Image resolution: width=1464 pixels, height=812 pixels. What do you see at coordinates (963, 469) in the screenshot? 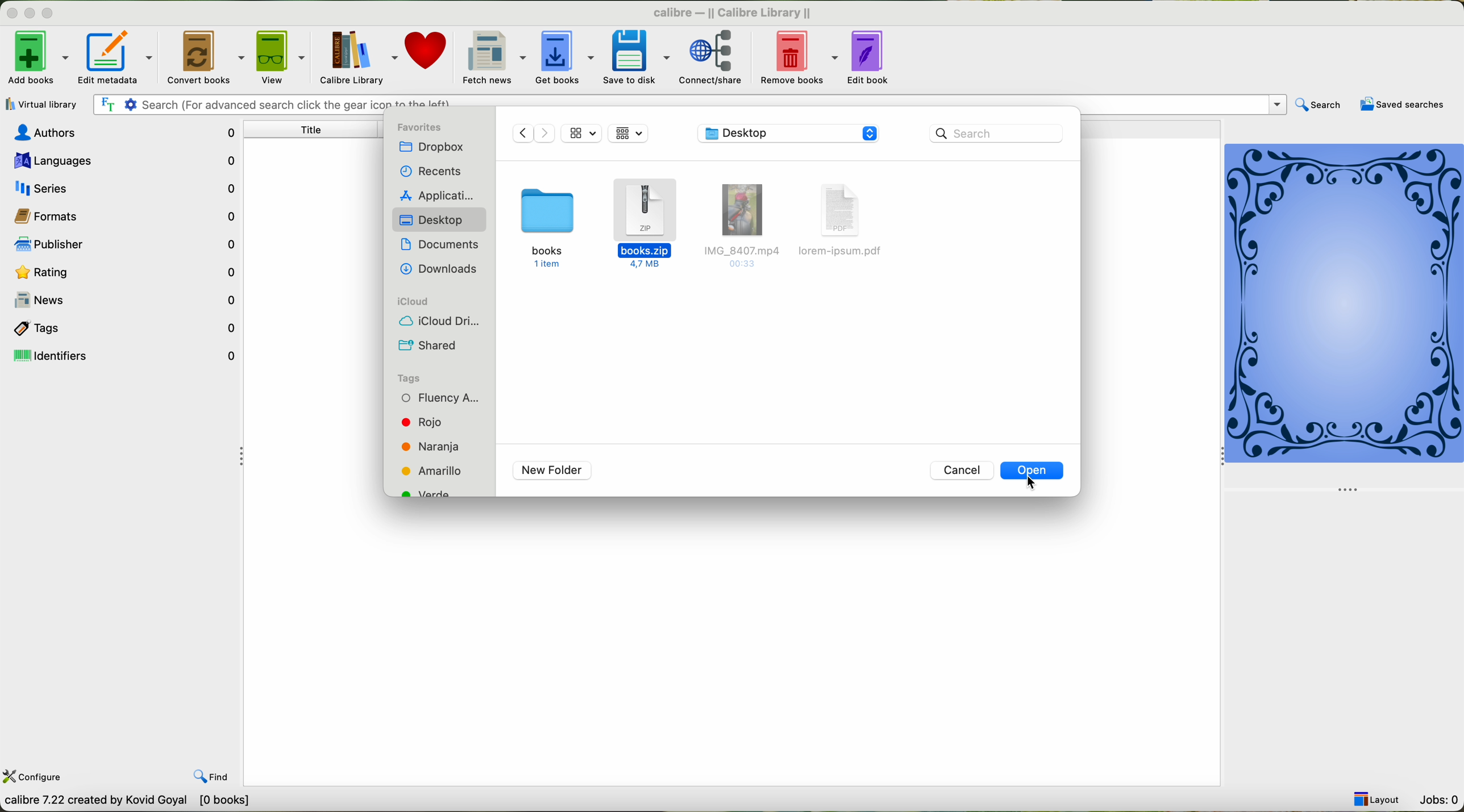
I see `cancel` at bounding box center [963, 469].